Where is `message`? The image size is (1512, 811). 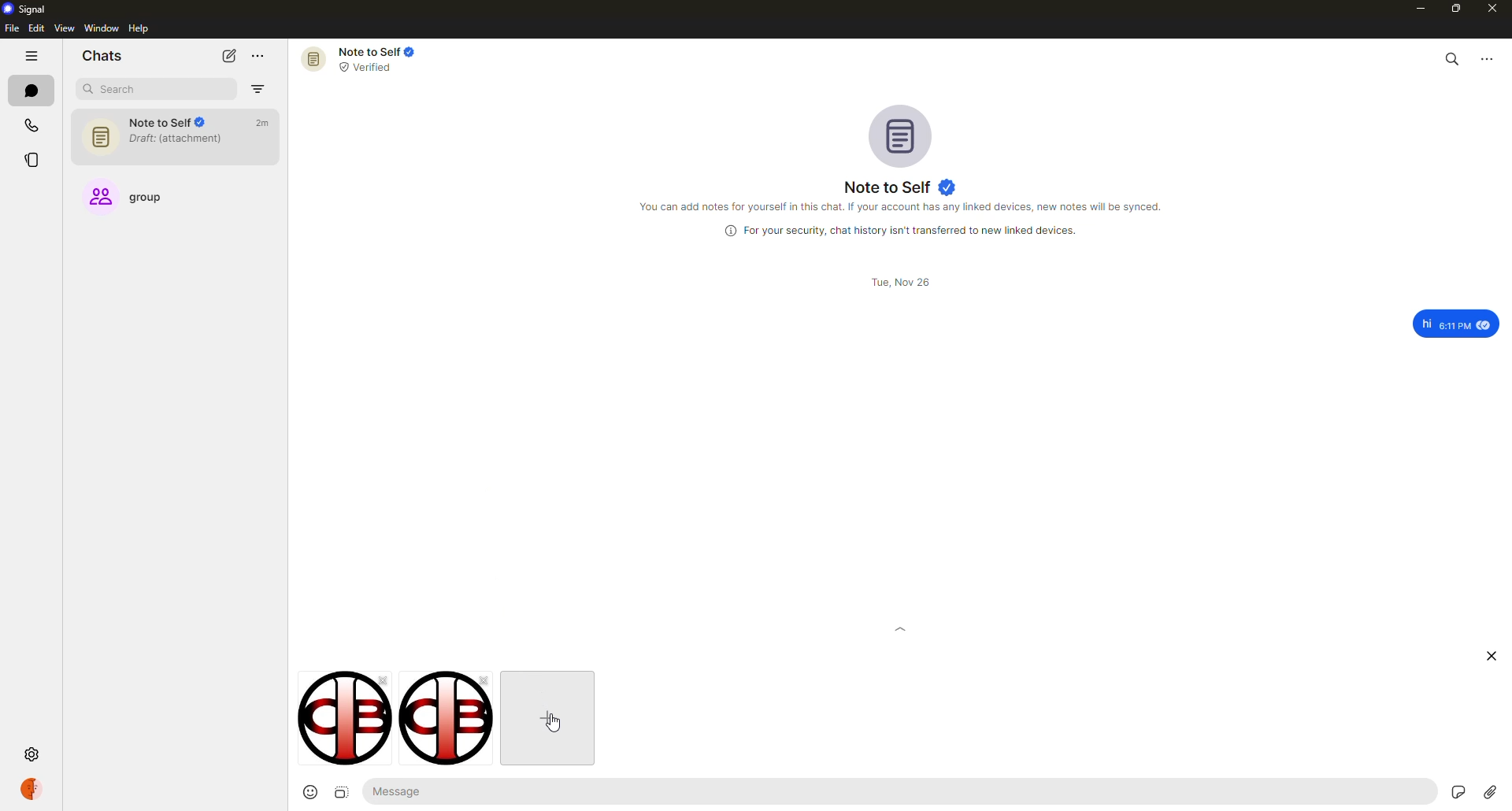 message is located at coordinates (1456, 324).